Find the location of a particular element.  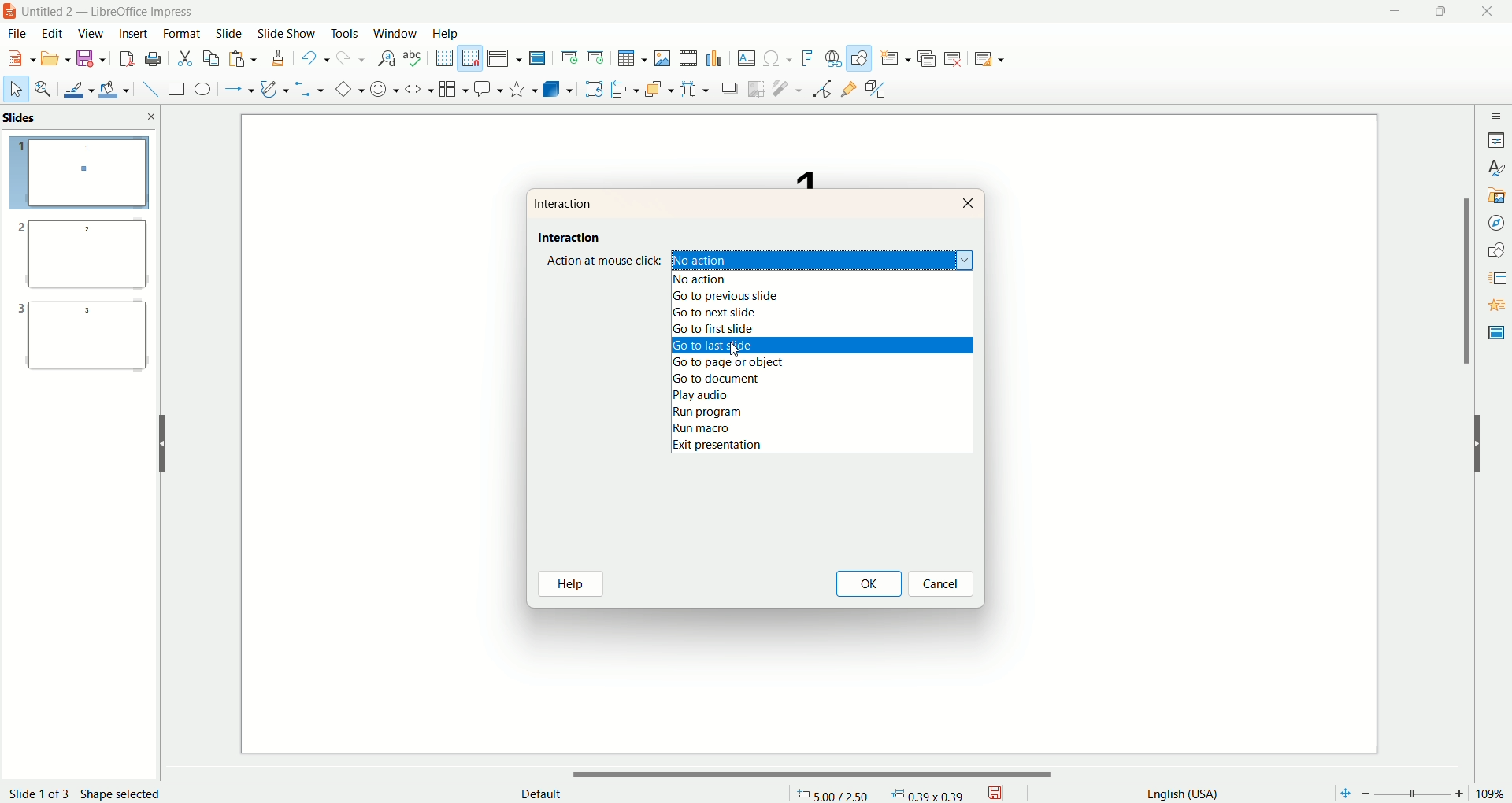

paste is located at coordinates (244, 60).